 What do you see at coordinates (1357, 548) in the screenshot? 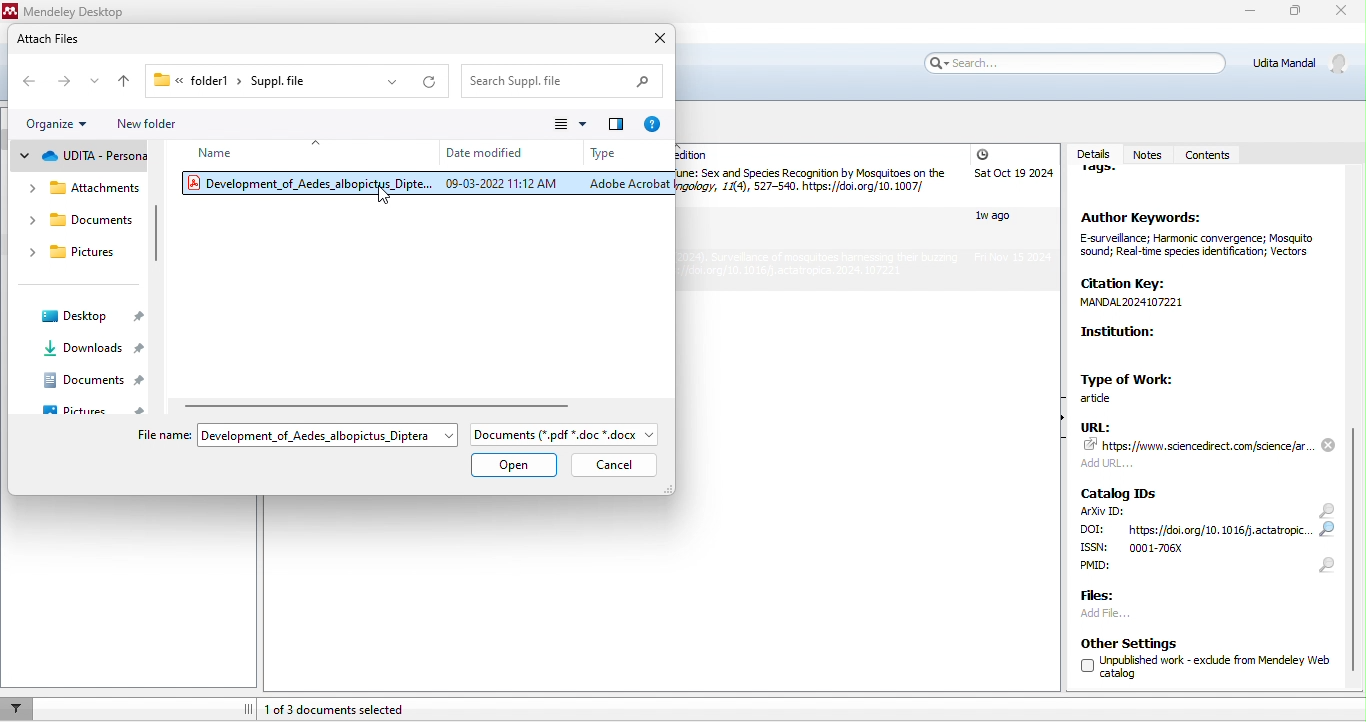
I see `slider moved` at bounding box center [1357, 548].